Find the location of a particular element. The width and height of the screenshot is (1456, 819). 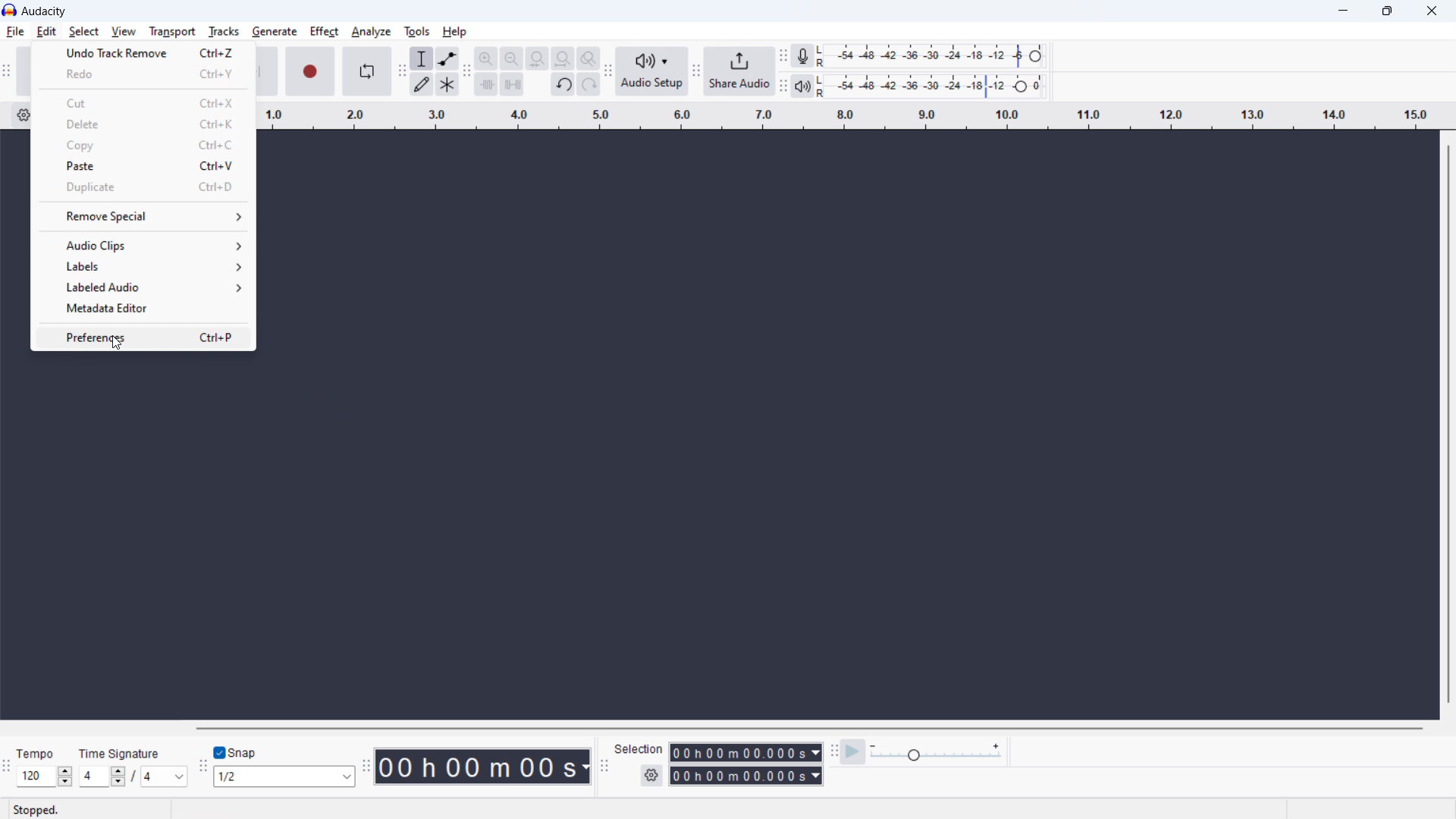

cut is located at coordinates (142, 102).